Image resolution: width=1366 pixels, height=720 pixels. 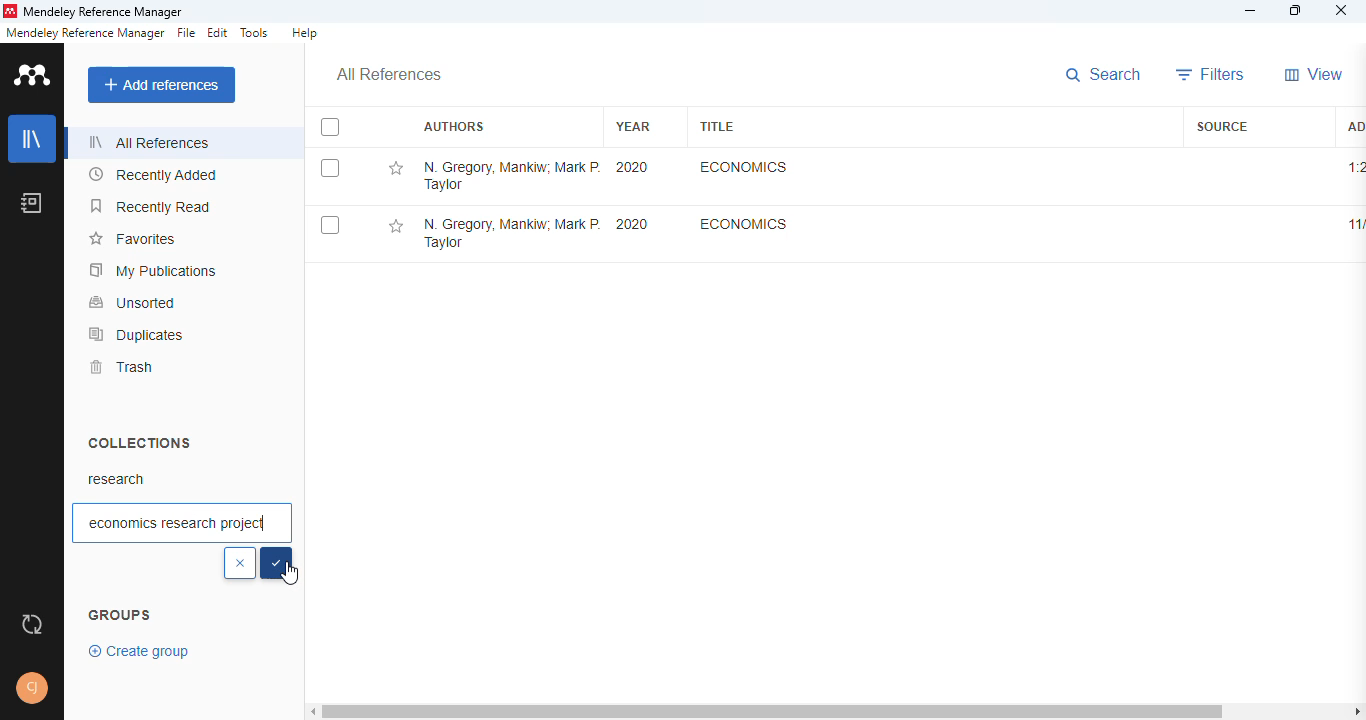 What do you see at coordinates (1353, 125) in the screenshot?
I see `added` at bounding box center [1353, 125].